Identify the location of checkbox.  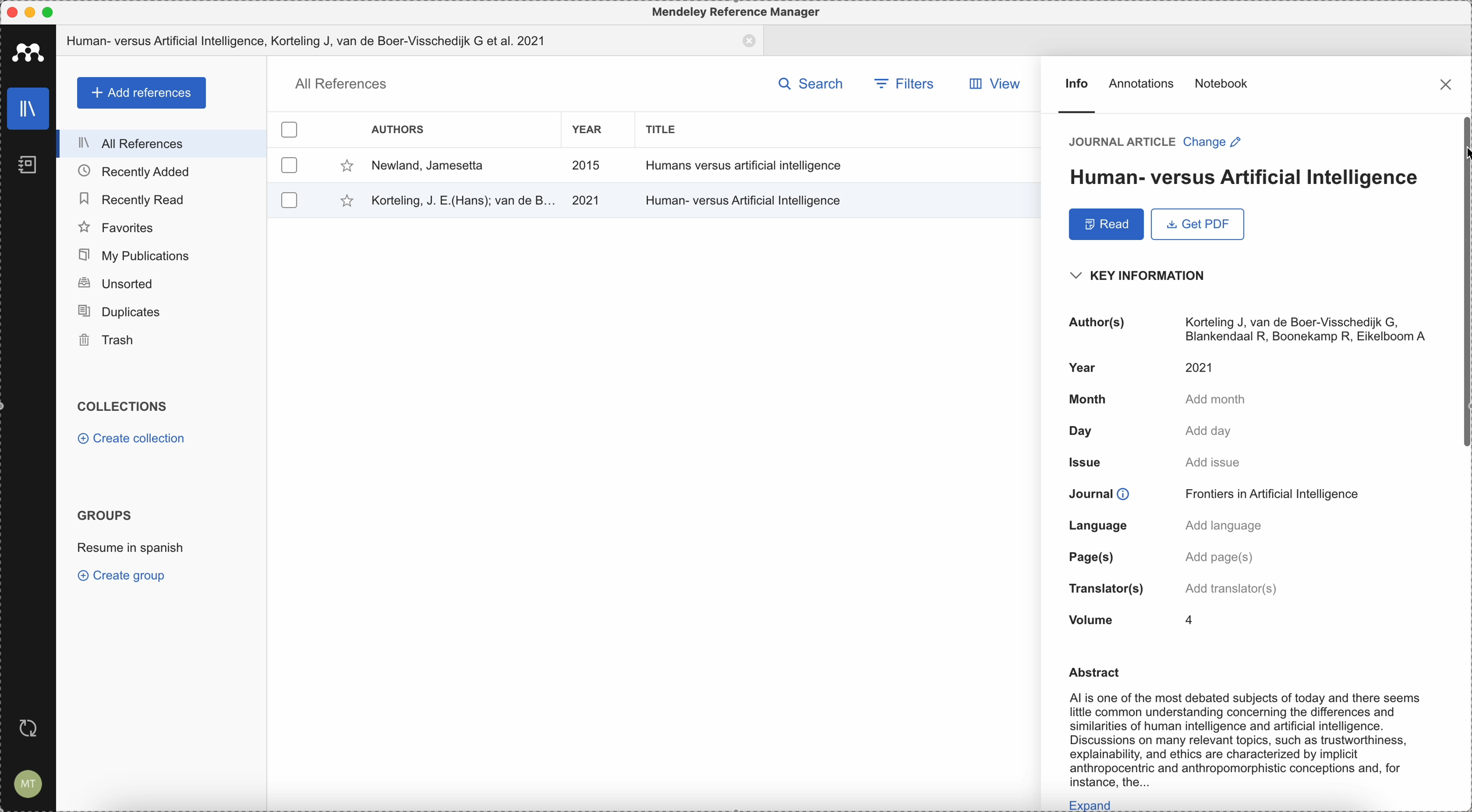
(287, 199).